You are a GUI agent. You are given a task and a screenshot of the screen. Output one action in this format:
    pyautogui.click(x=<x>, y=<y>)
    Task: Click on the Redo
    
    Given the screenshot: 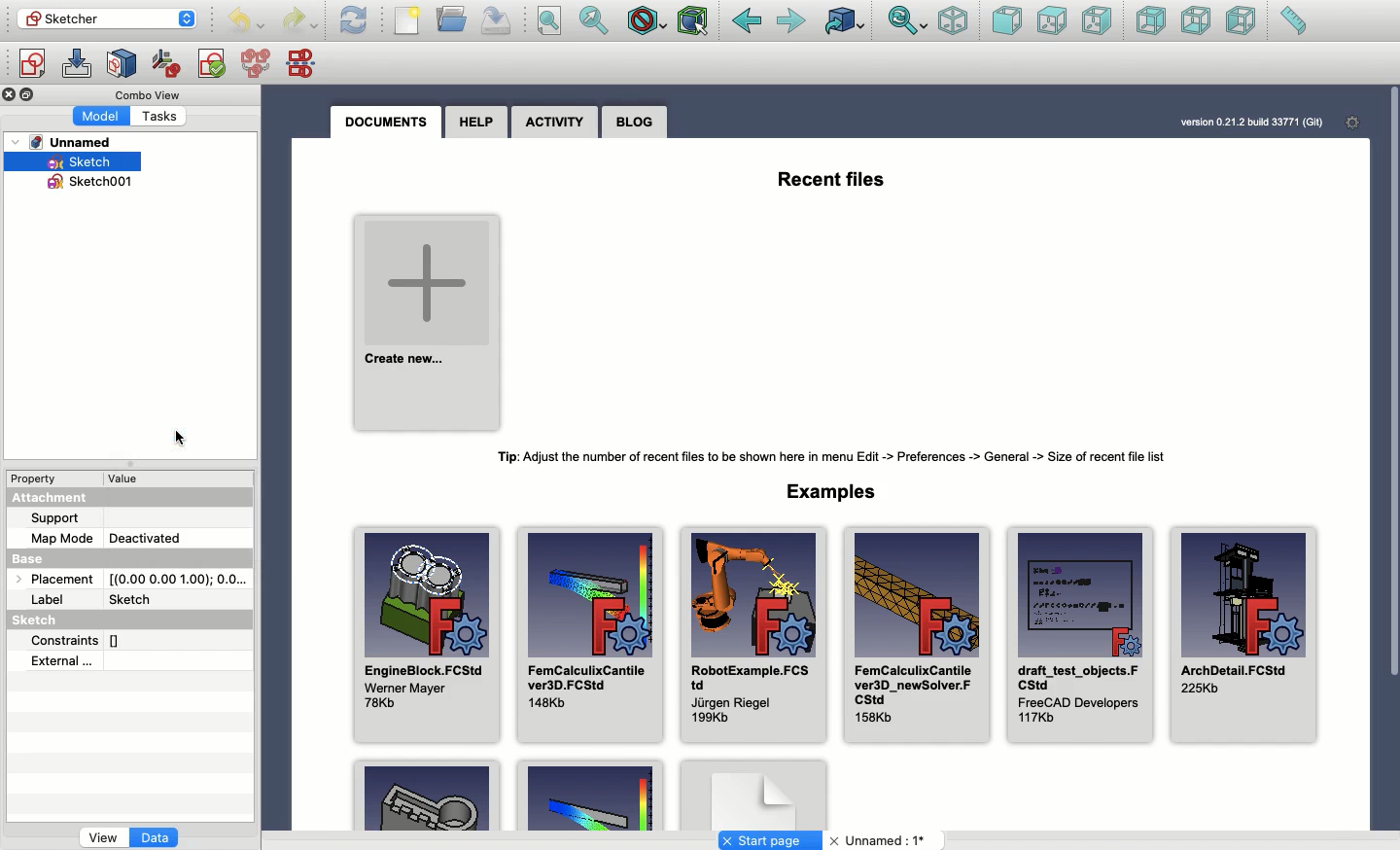 What is the action you would take?
    pyautogui.click(x=299, y=22)
    